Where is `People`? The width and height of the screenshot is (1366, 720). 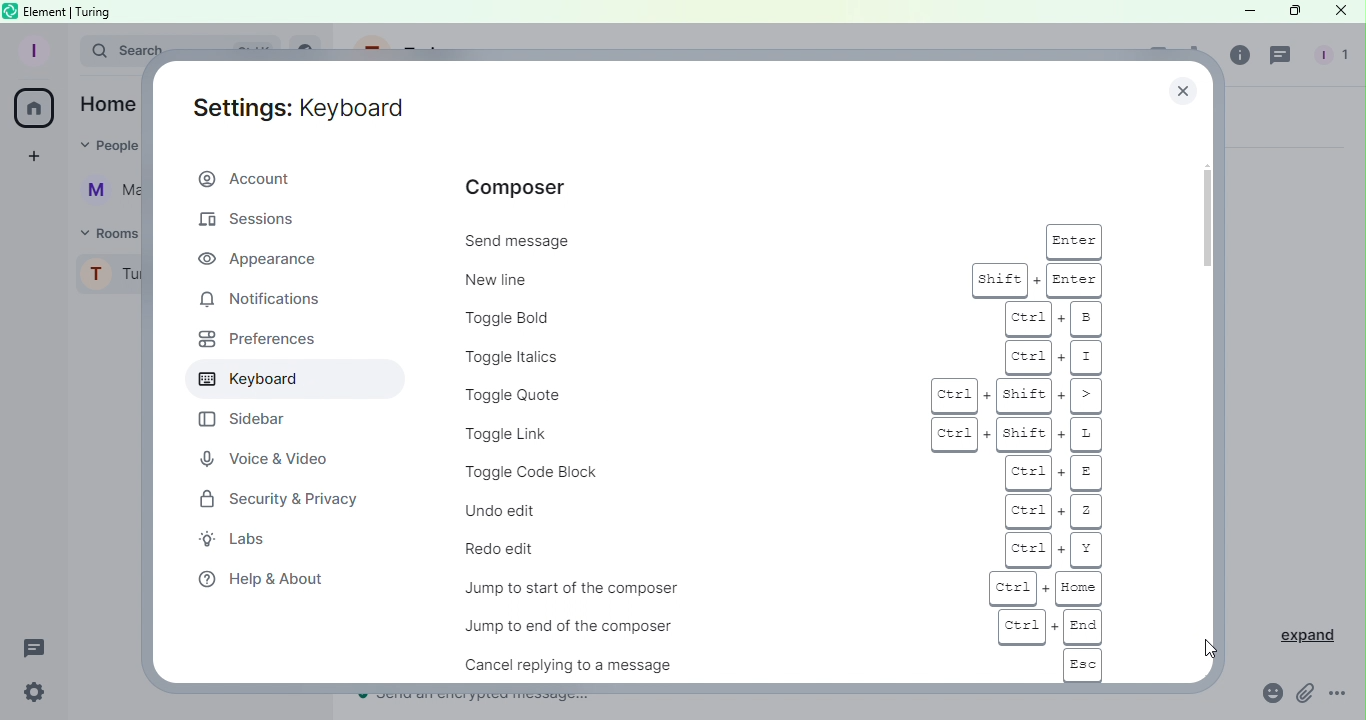
People is located at coordinates (1329, 57).